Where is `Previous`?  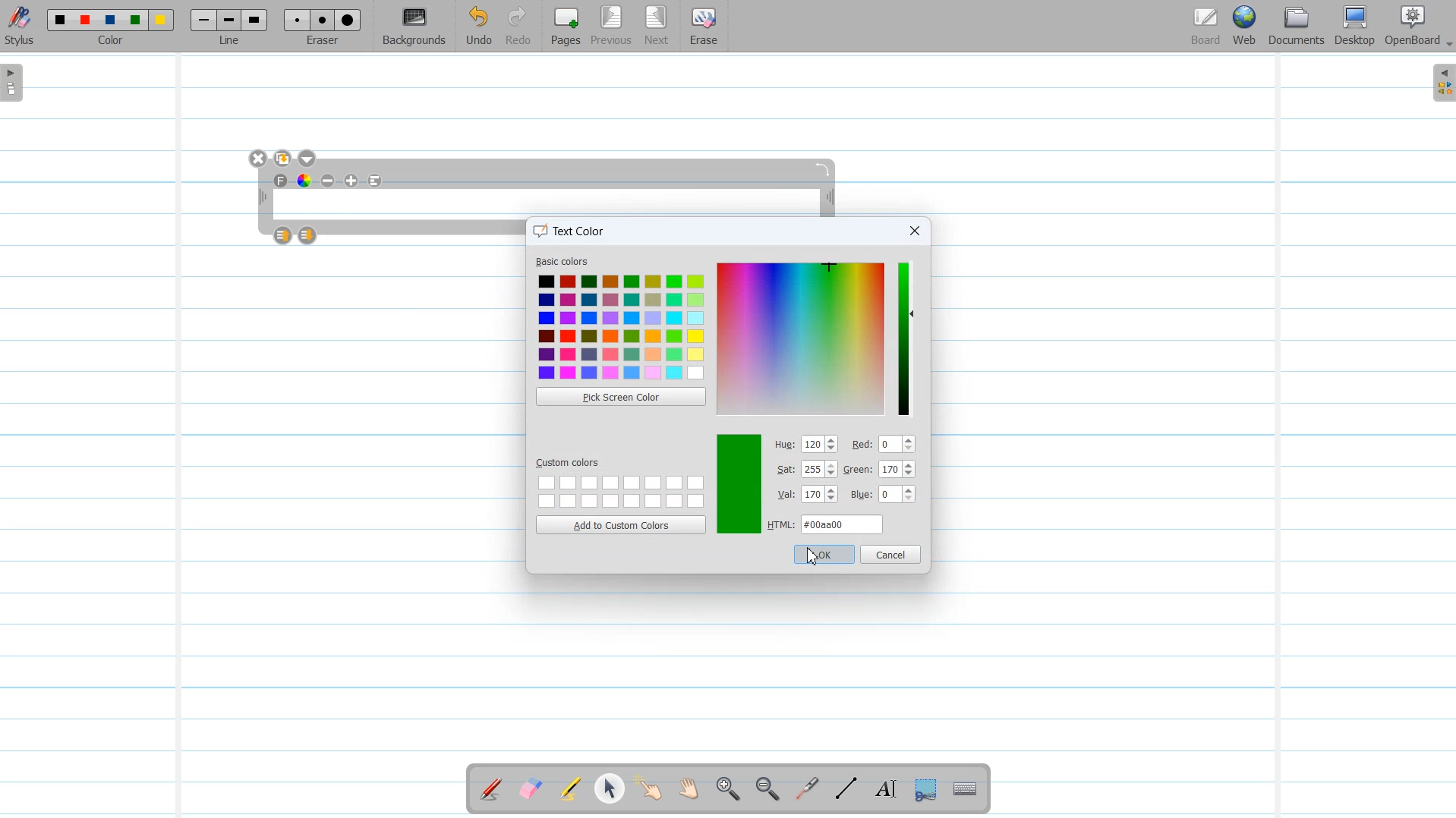 Previous is located at coordinates (613, 27).